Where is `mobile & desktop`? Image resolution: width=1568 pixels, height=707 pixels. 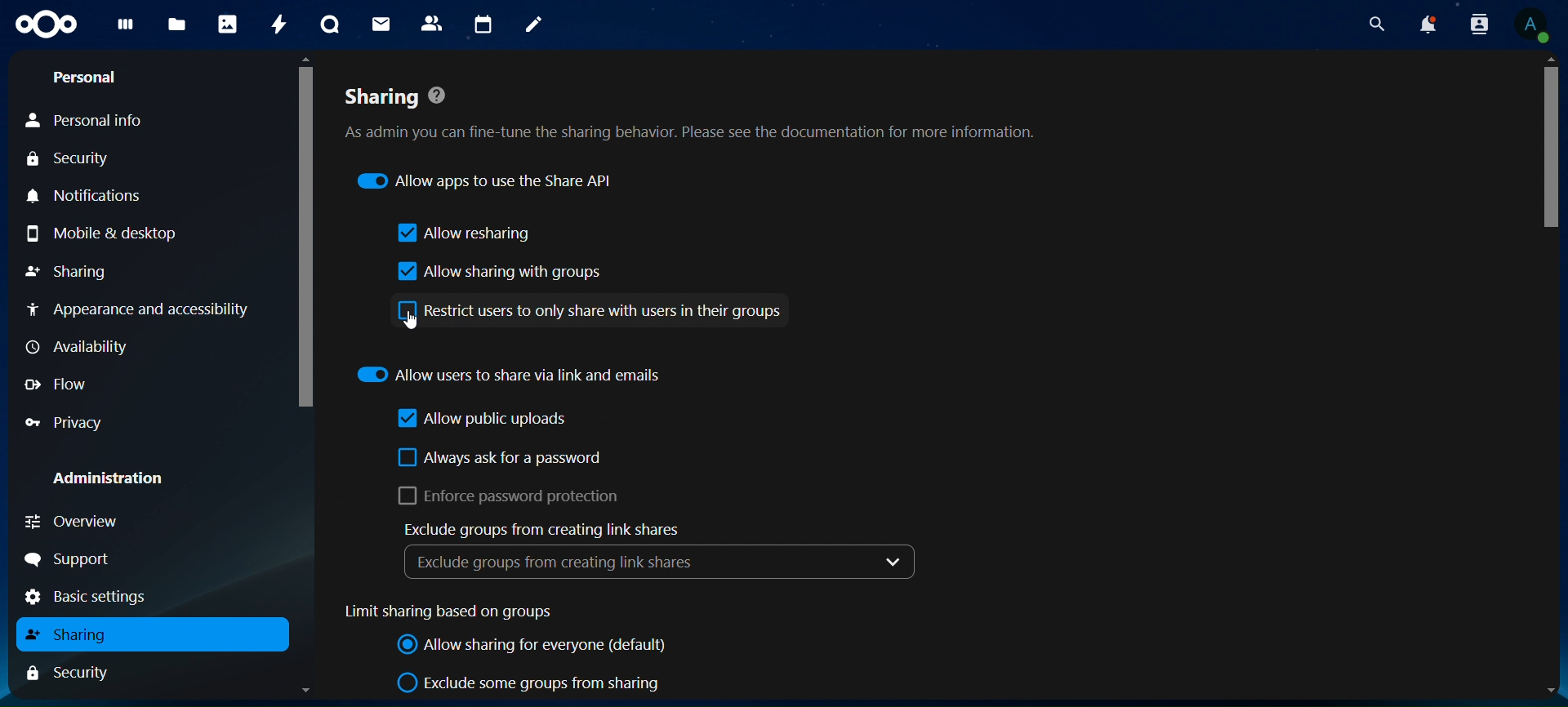
mobile & desktop is located at coordinates (106, 234).